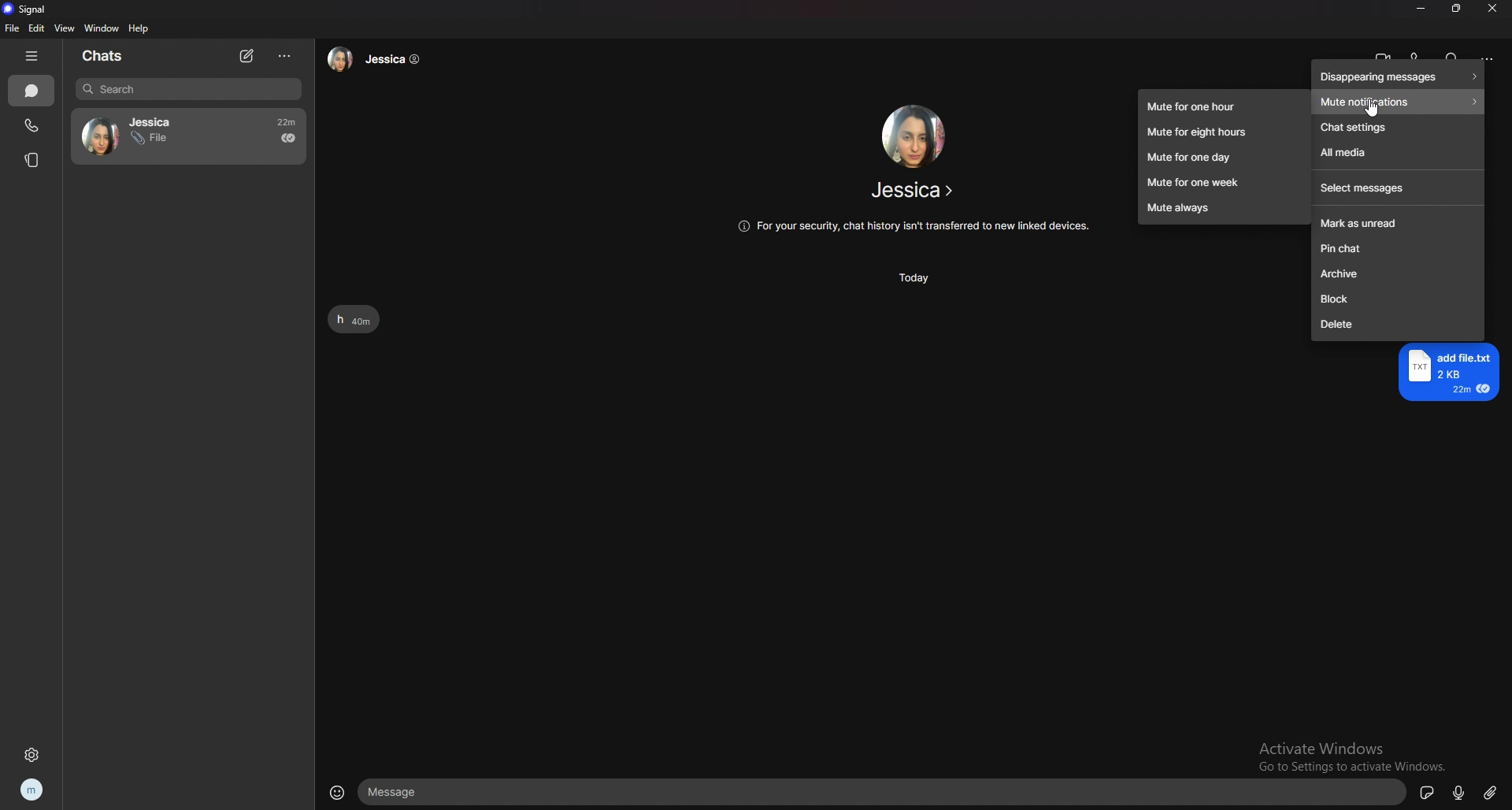 This screenshot has height=810, width=1512. I want to click on edit, so click(36, 27).